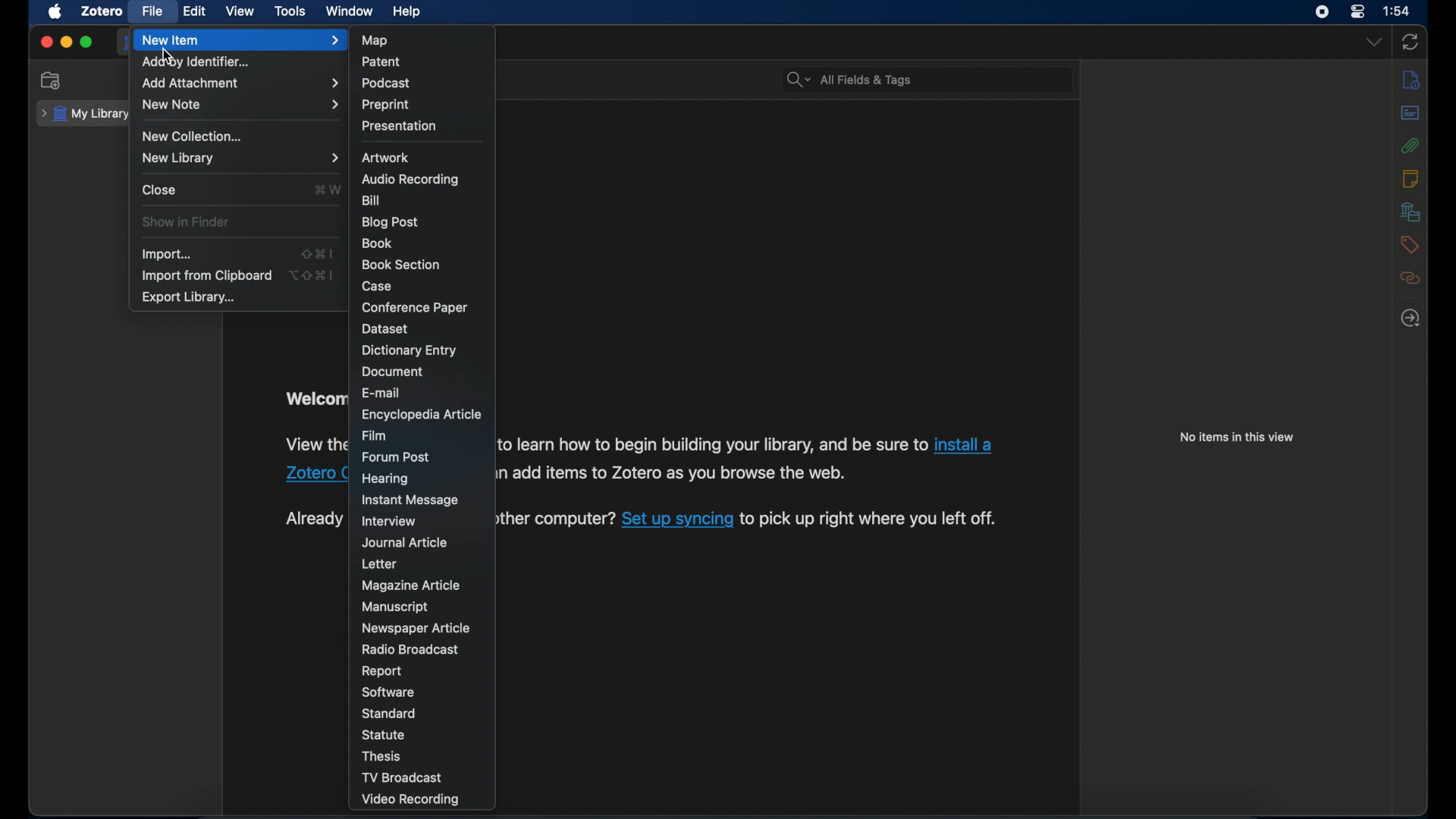 The width and height of the screenshot is (1456, 819). What do you see at coordinates (195, 11) in the screenshot?
I see `edit` at bounding box center [195, 11].